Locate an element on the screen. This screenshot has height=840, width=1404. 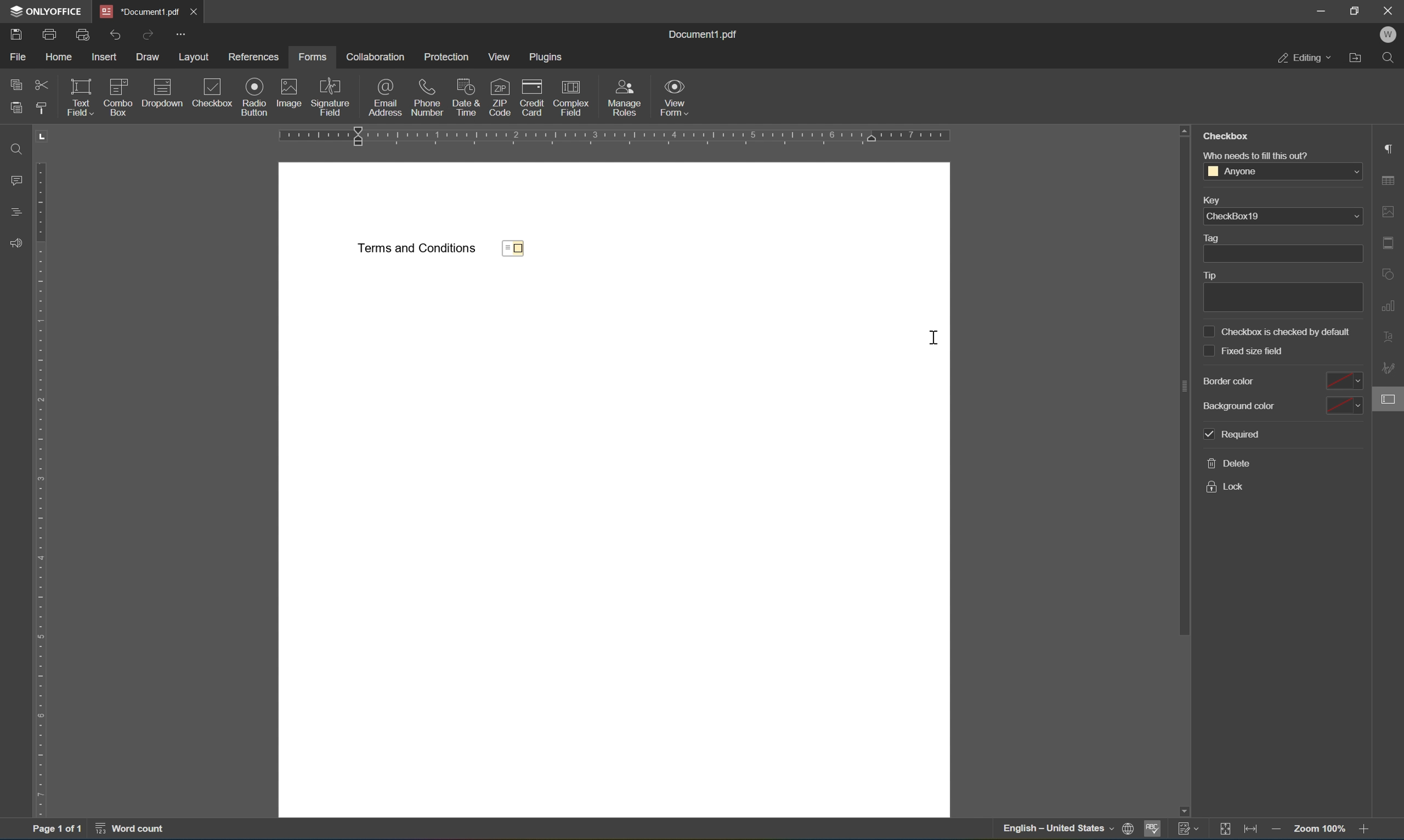
drop down is located at coordinates (1354, 217).